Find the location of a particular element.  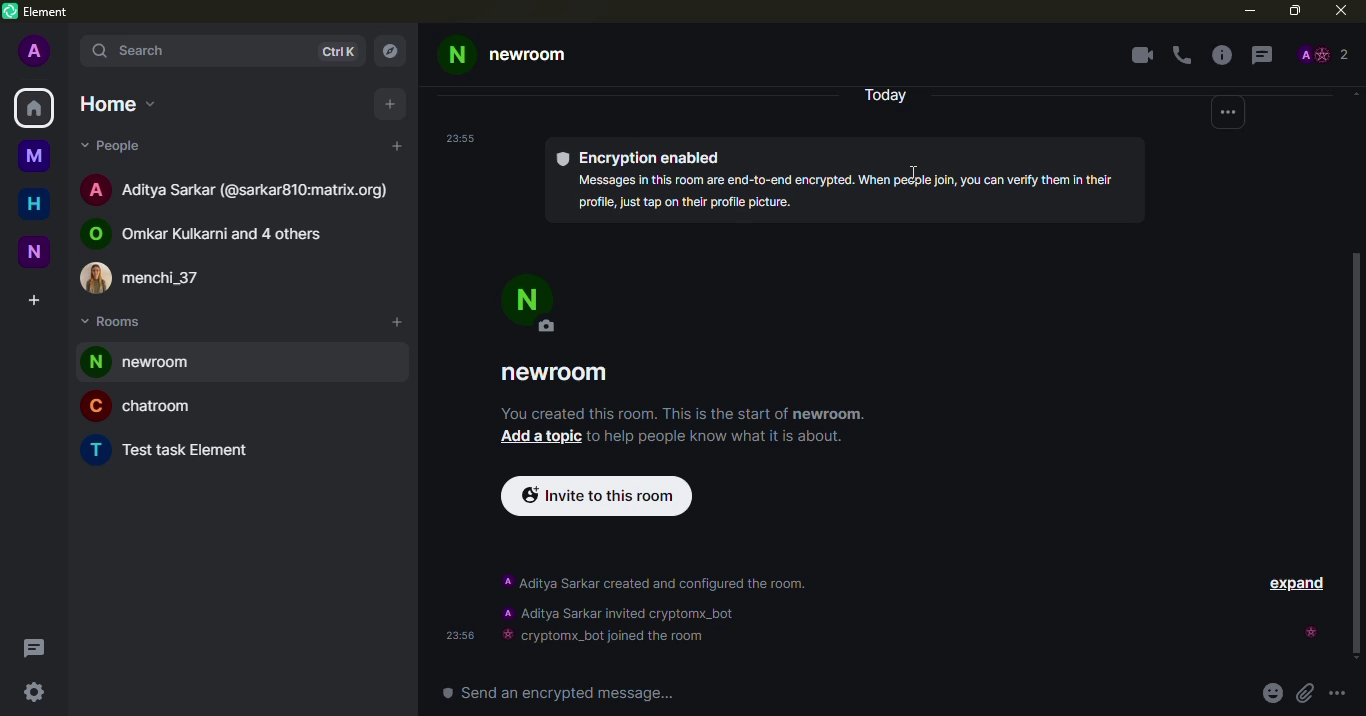

rooms is located at coordinates (114, 323).